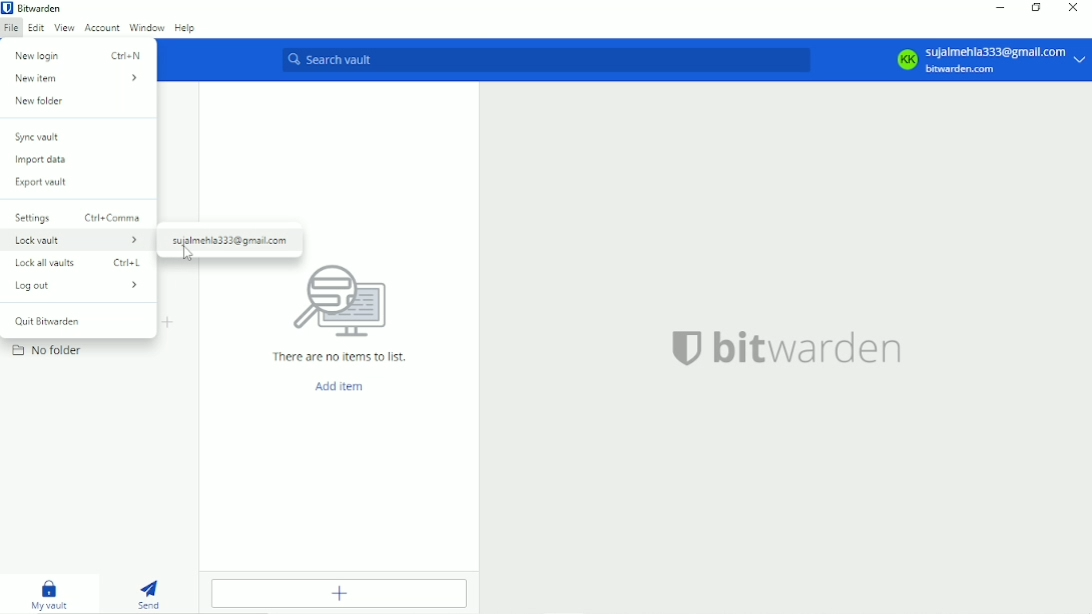 The width and height of the screenshot is (1092, 614). I want to click on Close, so click(1075, 9).